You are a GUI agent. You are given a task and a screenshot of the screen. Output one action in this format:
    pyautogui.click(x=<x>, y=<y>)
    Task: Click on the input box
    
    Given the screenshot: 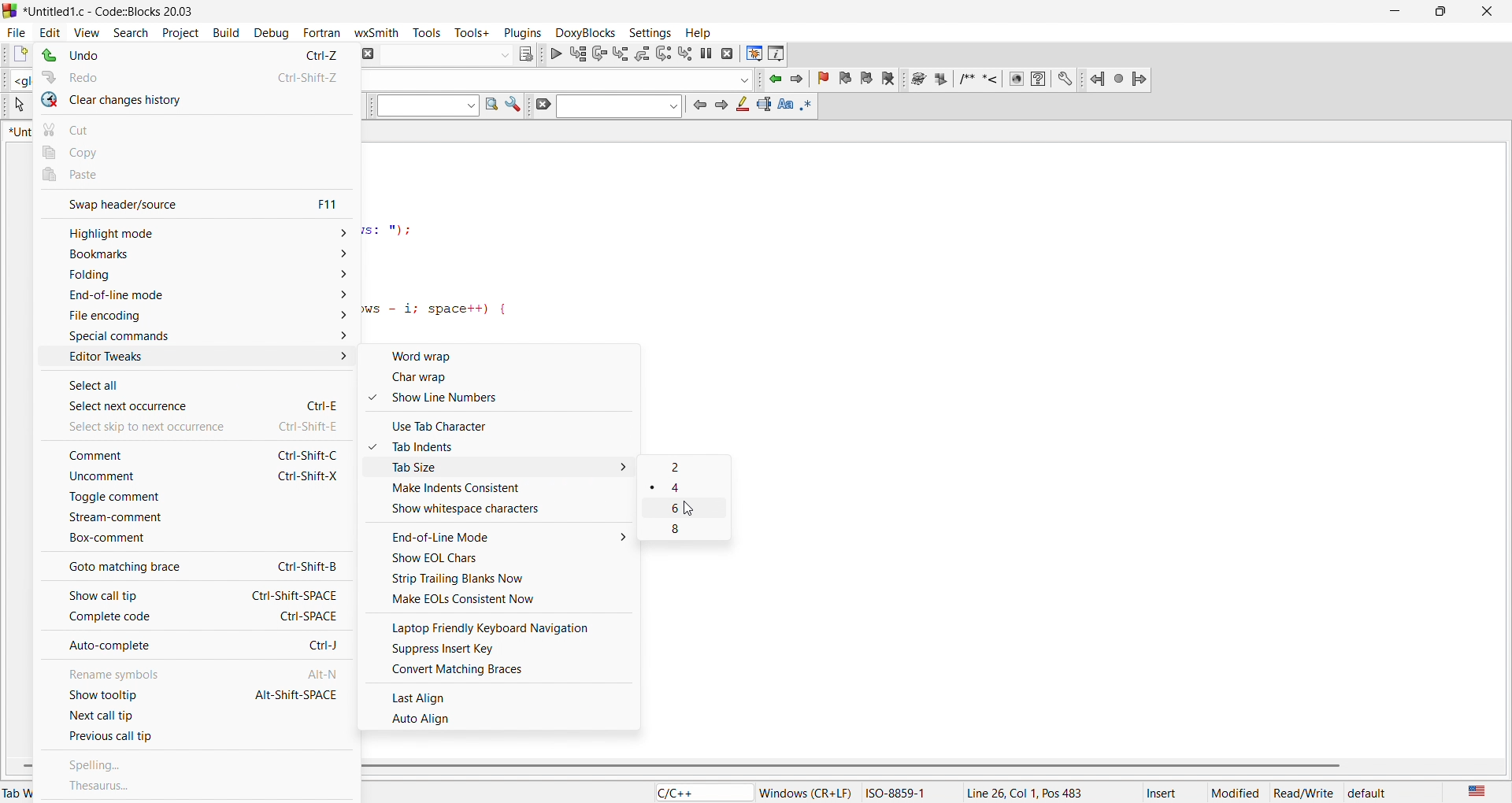 What is the action you would take?
    pyautogui.click(x=448, y=54)
    